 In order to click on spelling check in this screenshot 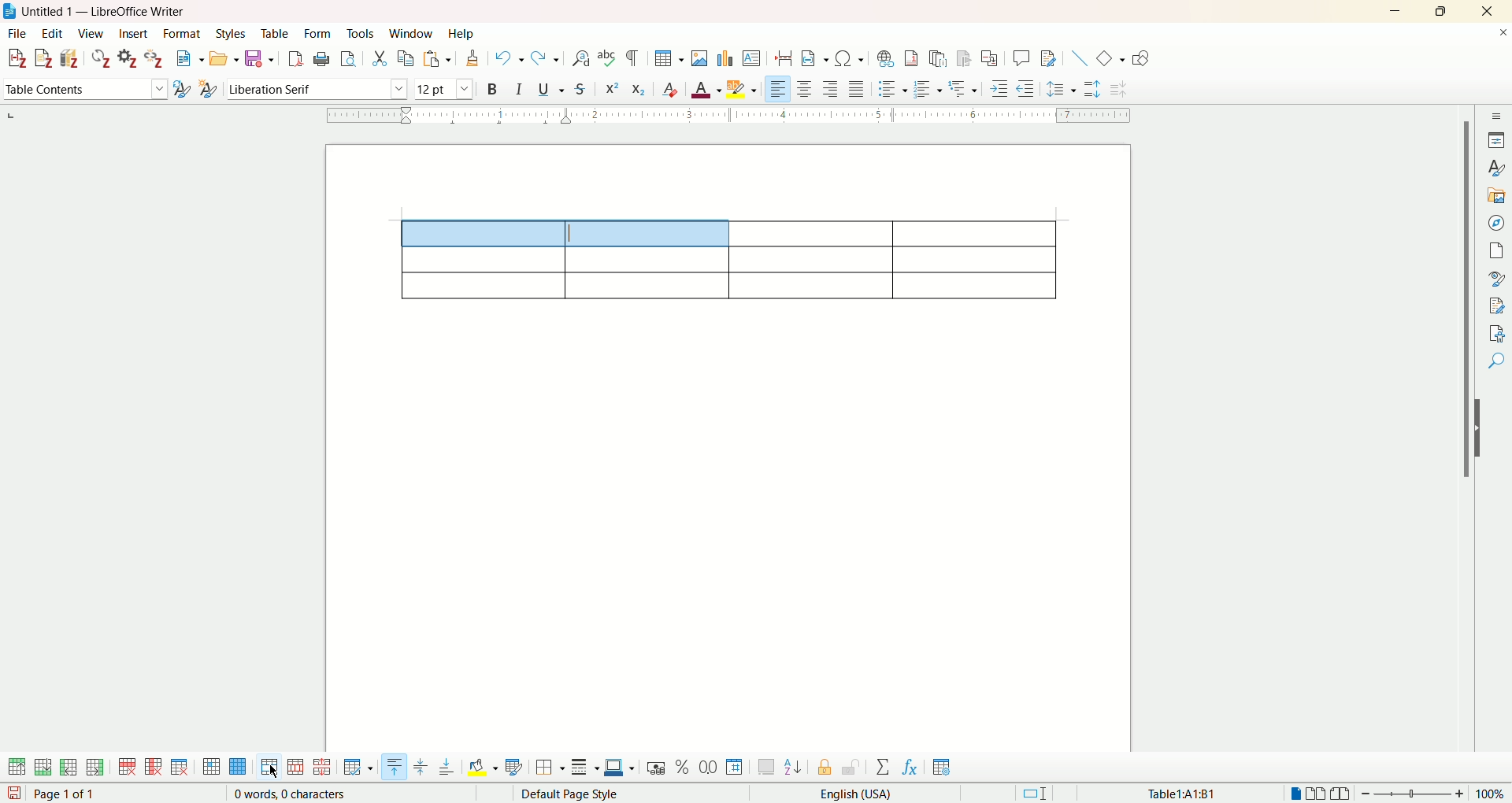, I will do `click(607, 59)`.